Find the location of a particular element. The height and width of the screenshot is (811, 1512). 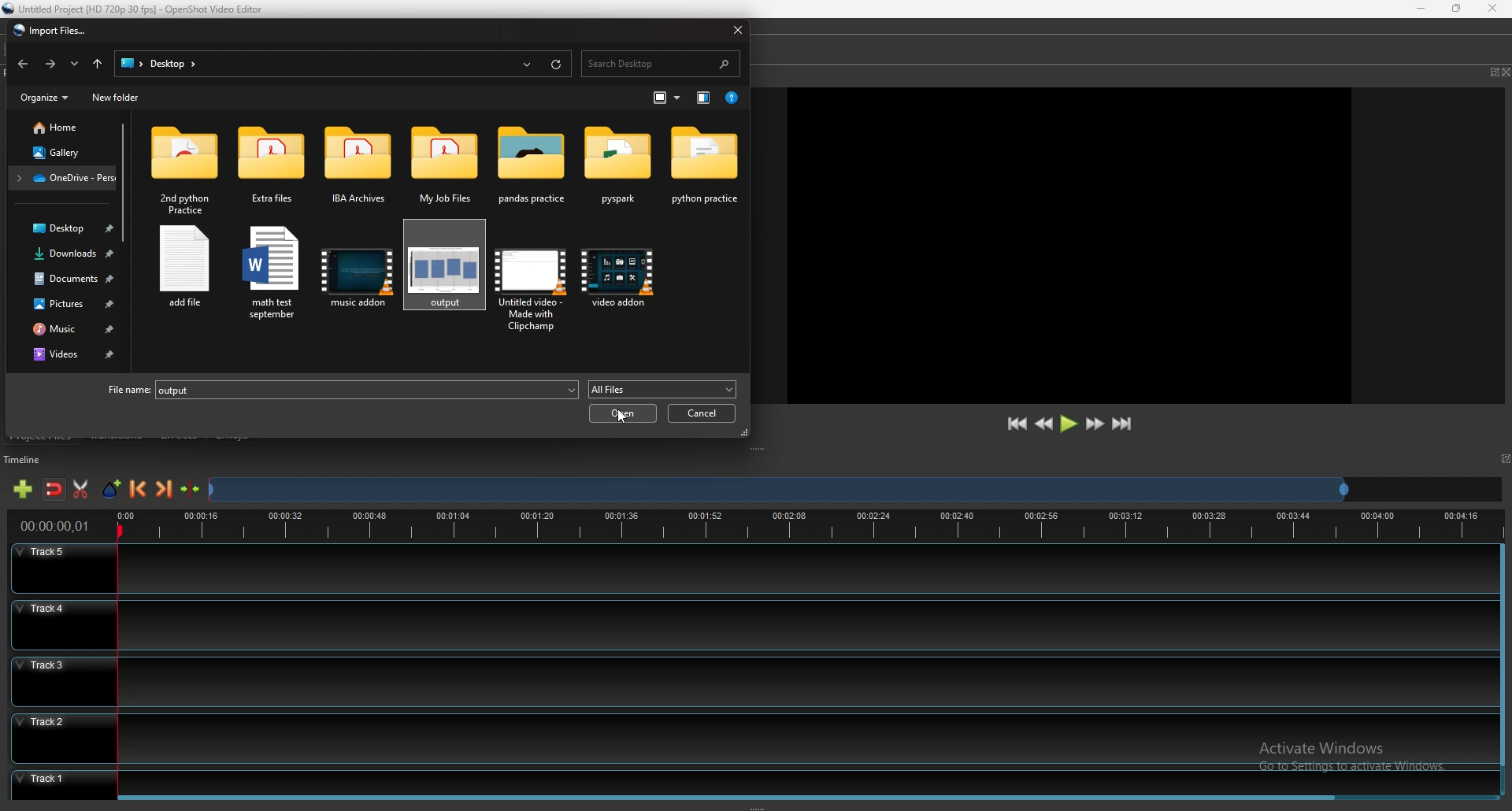

project files is located at coordinates (42, 435).